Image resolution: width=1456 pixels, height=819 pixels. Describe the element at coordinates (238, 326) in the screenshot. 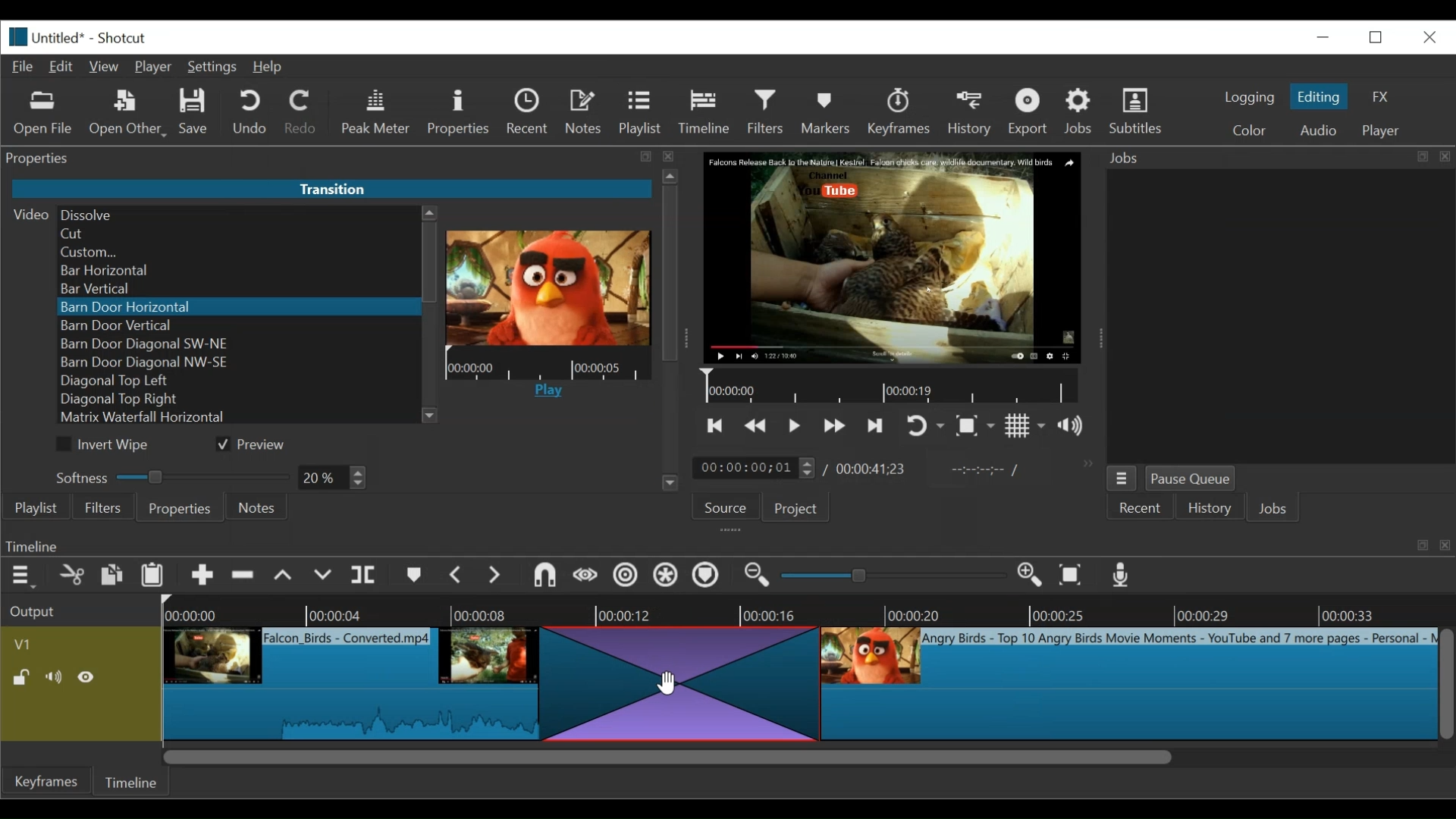

I see `Barn Door Vertical` at that location.